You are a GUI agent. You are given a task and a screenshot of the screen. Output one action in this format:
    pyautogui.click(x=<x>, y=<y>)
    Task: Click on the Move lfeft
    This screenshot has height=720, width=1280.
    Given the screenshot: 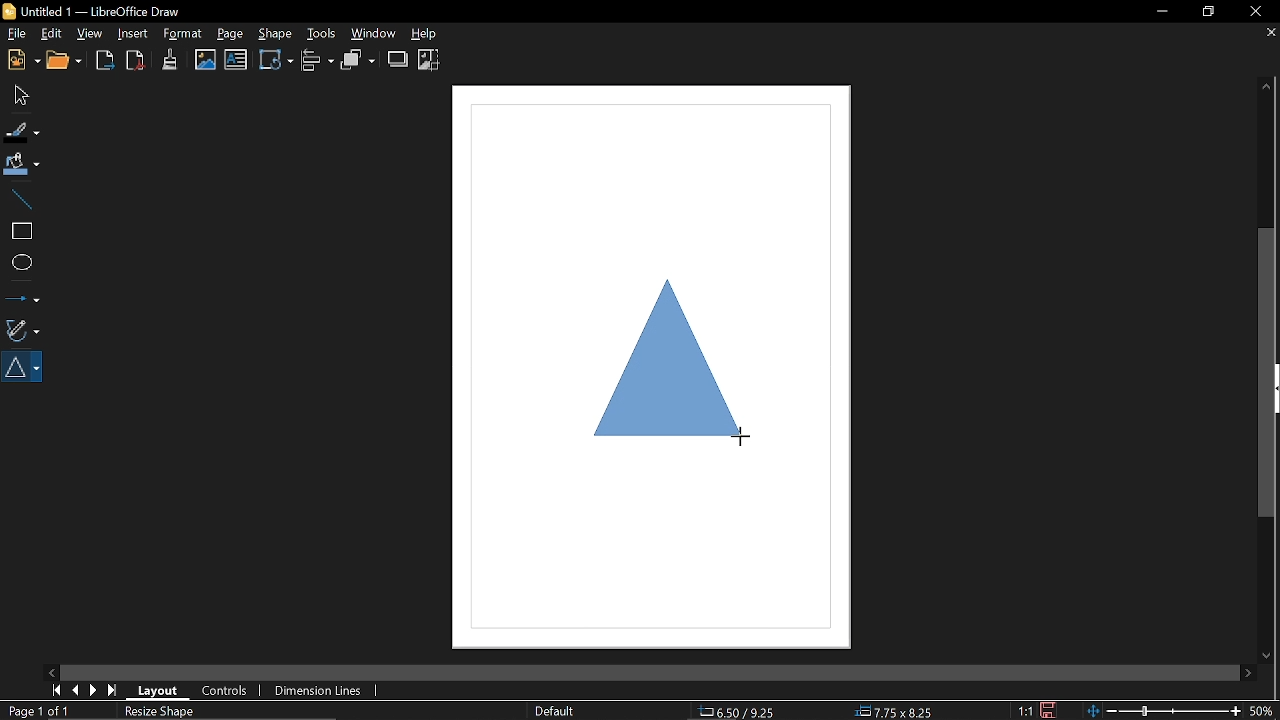 What is the action you would take?
    pyautogui.click(x=53, y=671)
    